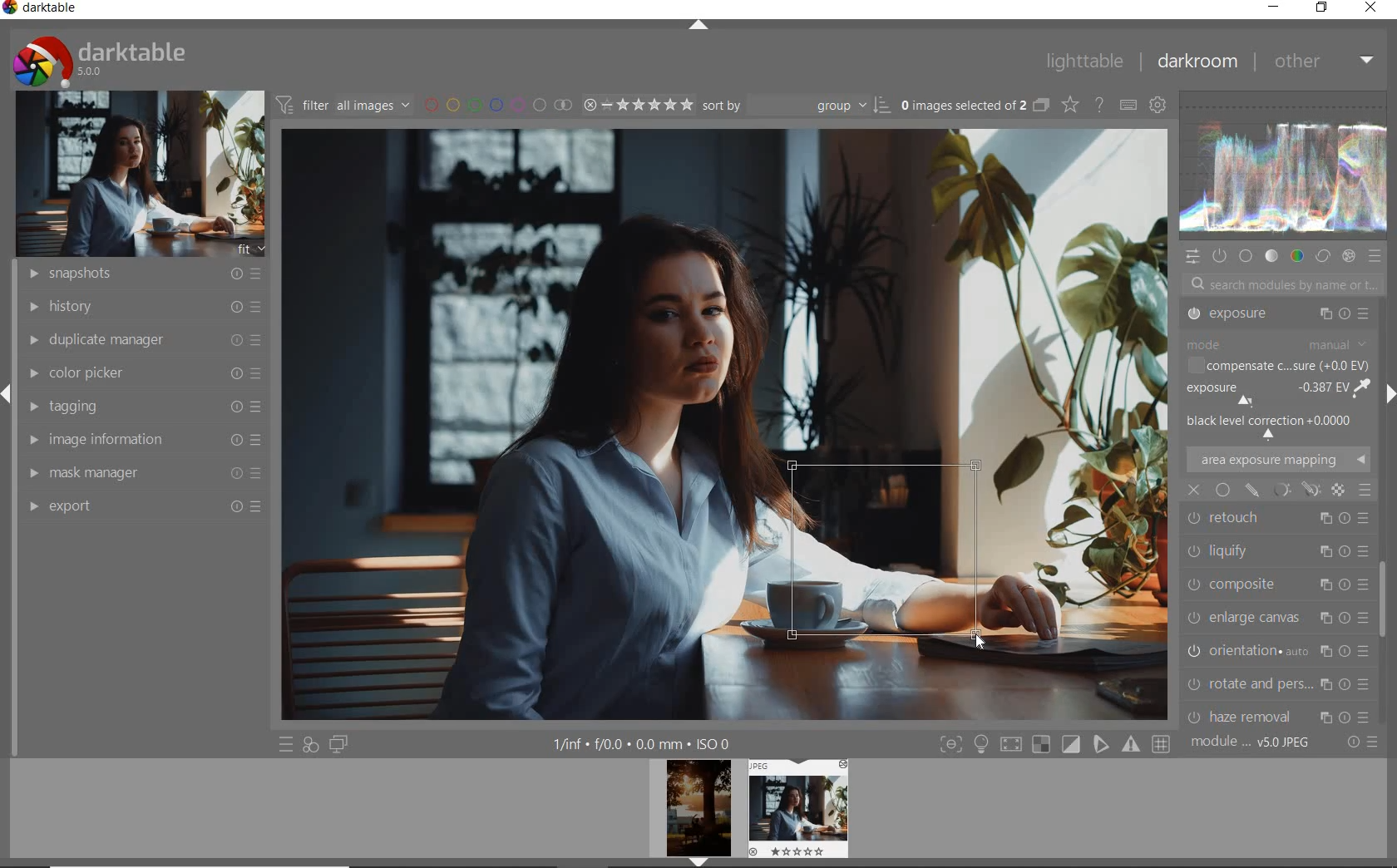 This screenshot has width=1397, height=868. I want to click on IMAGE, so click(136, 173).